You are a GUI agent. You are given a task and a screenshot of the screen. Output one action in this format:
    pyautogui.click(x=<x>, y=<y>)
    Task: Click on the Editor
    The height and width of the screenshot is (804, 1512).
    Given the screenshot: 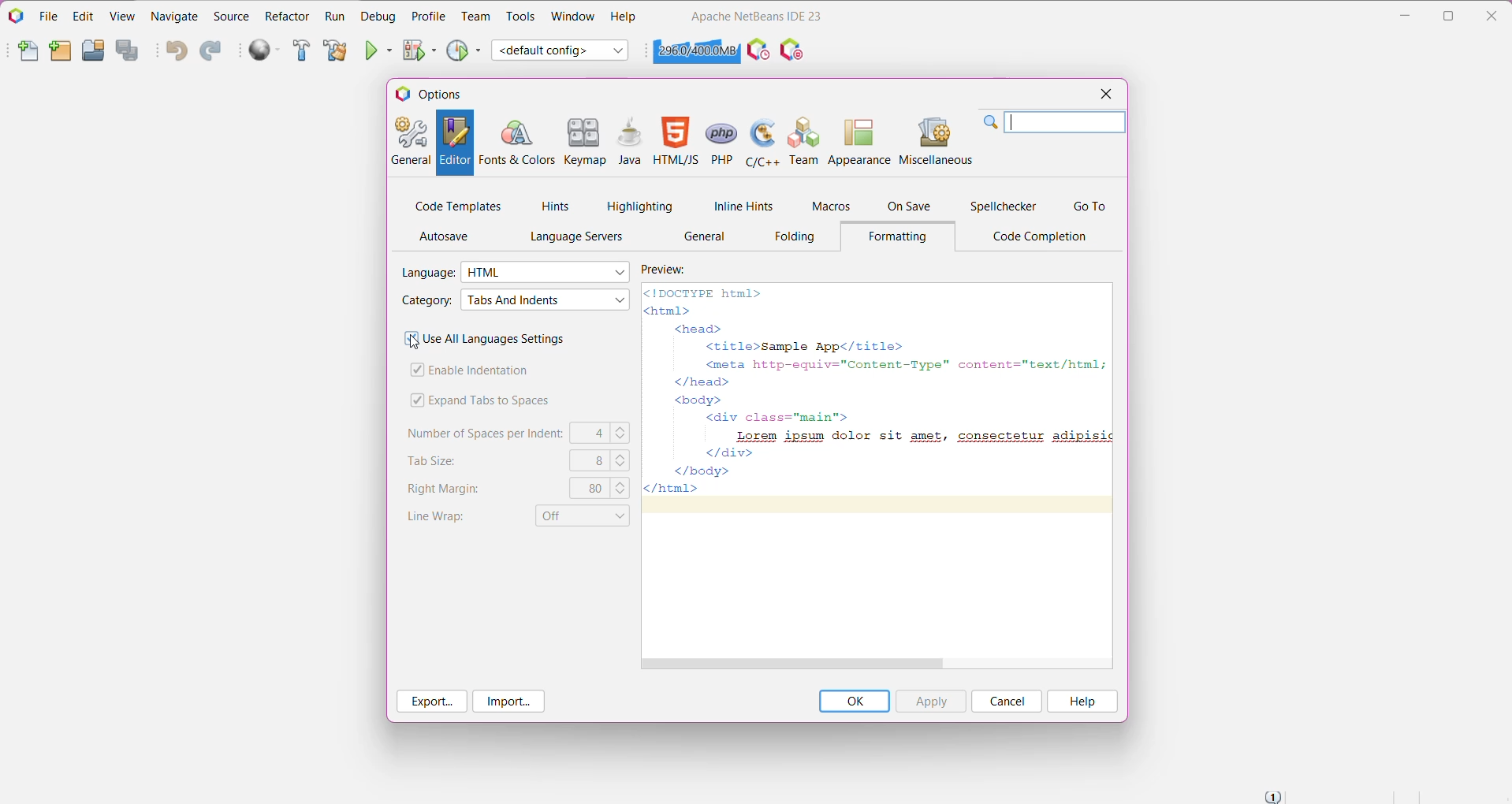 What is the action you would take?
    pyautogui.click(x=454, y=143)
    